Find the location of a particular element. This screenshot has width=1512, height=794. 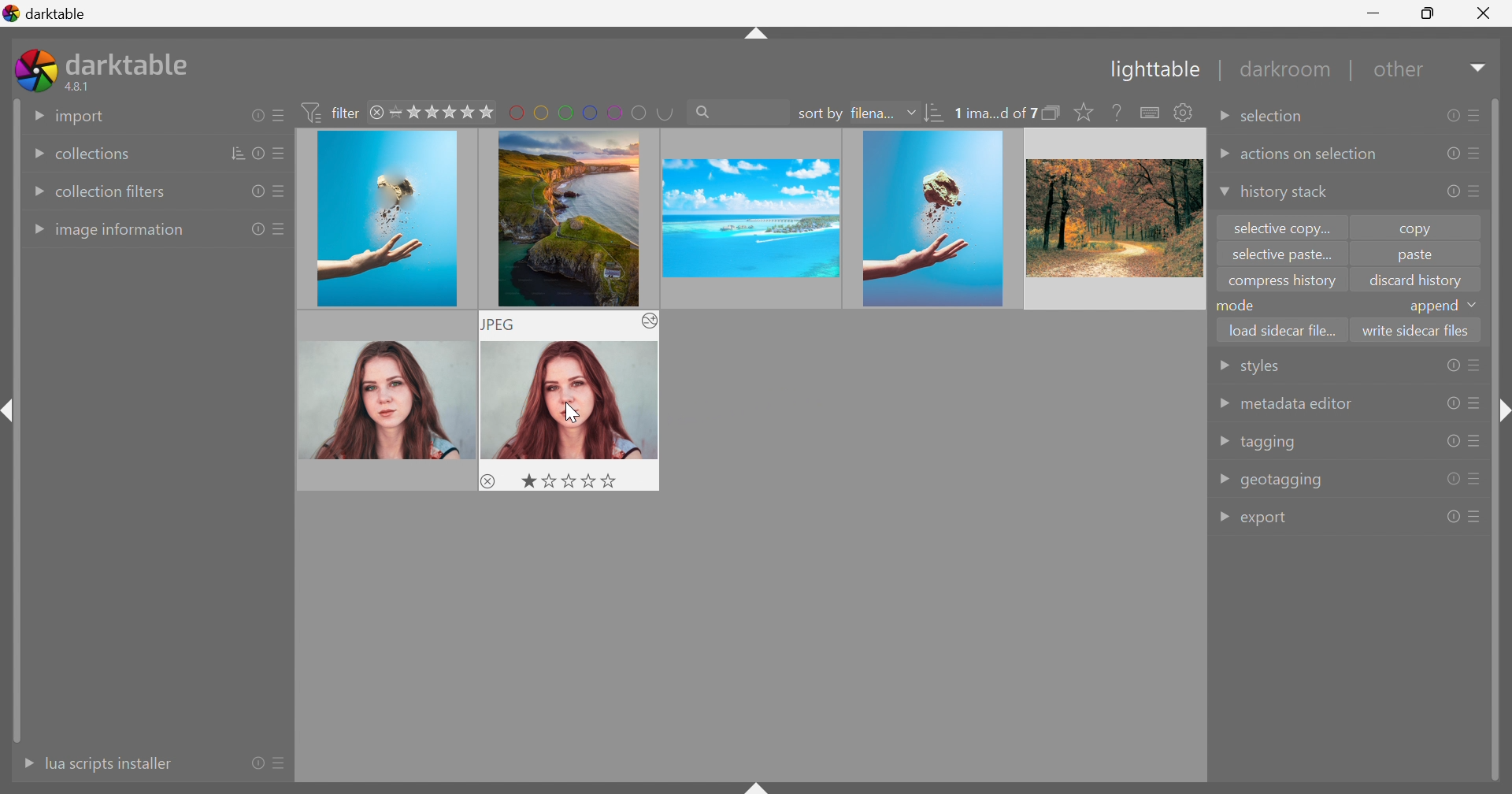

JPEG is located at coordinates (500, 325).